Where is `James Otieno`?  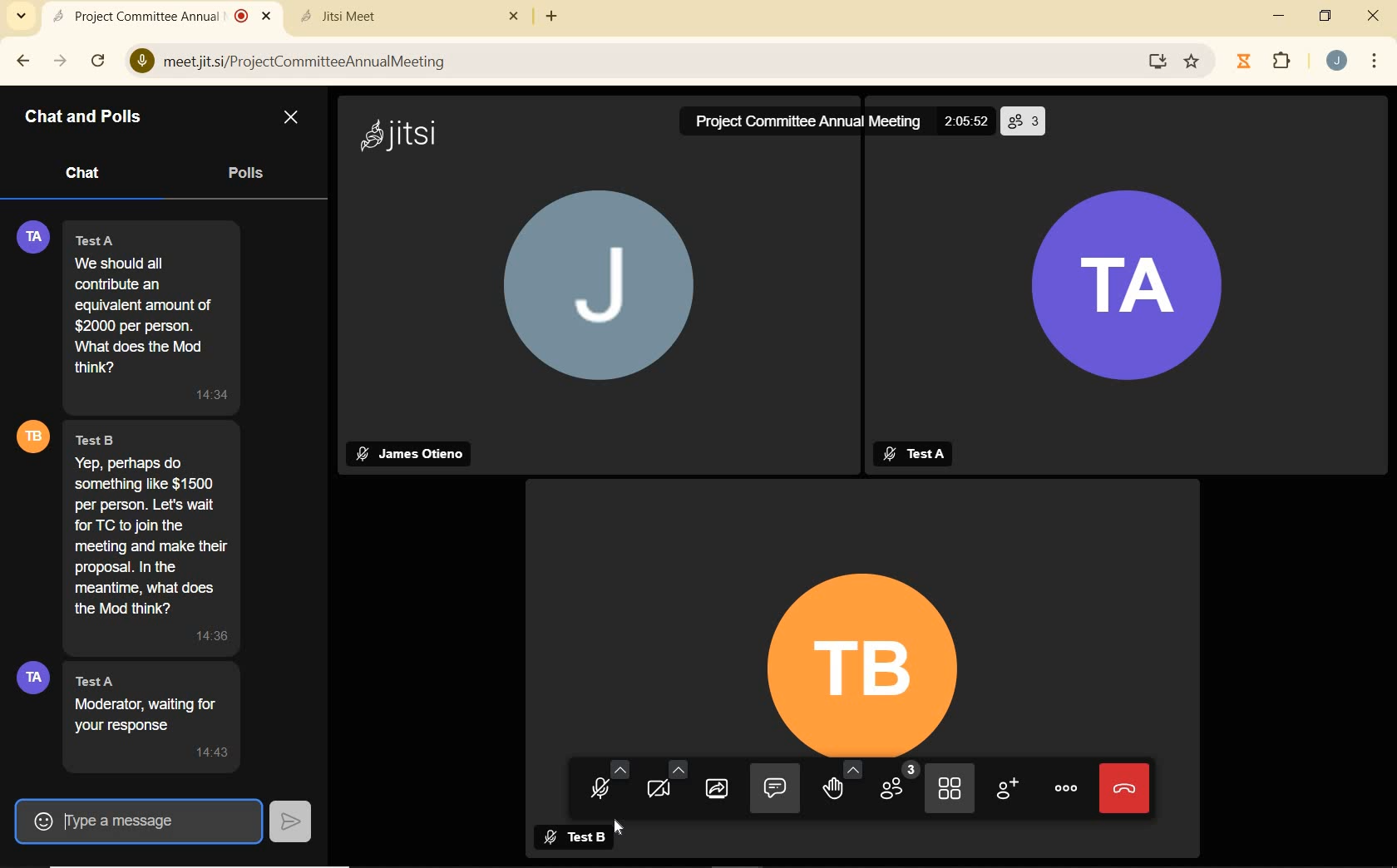
James Otieno is located at coordinates (409, 456).